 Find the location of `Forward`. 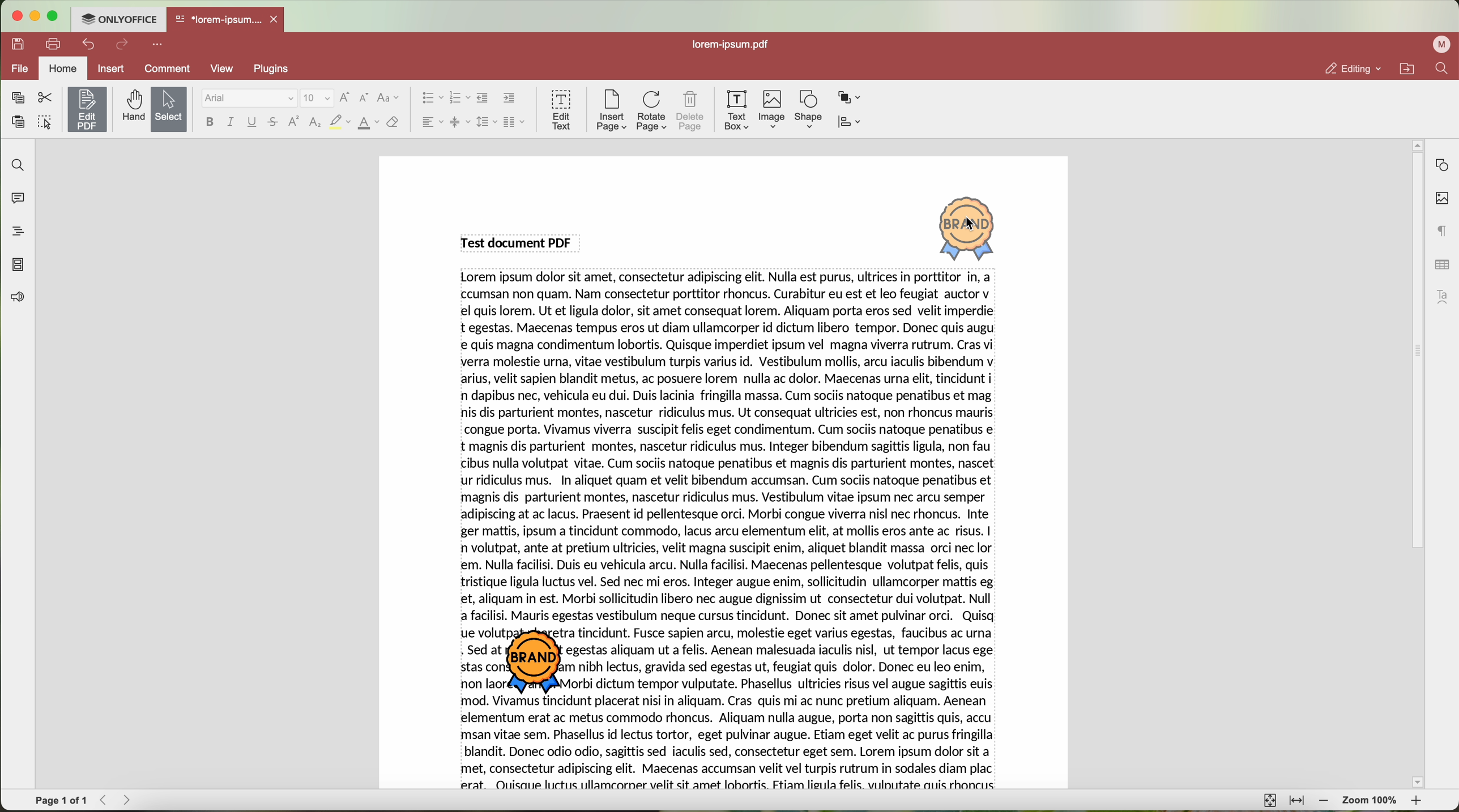

Forward is located at coordinates (131, 800).